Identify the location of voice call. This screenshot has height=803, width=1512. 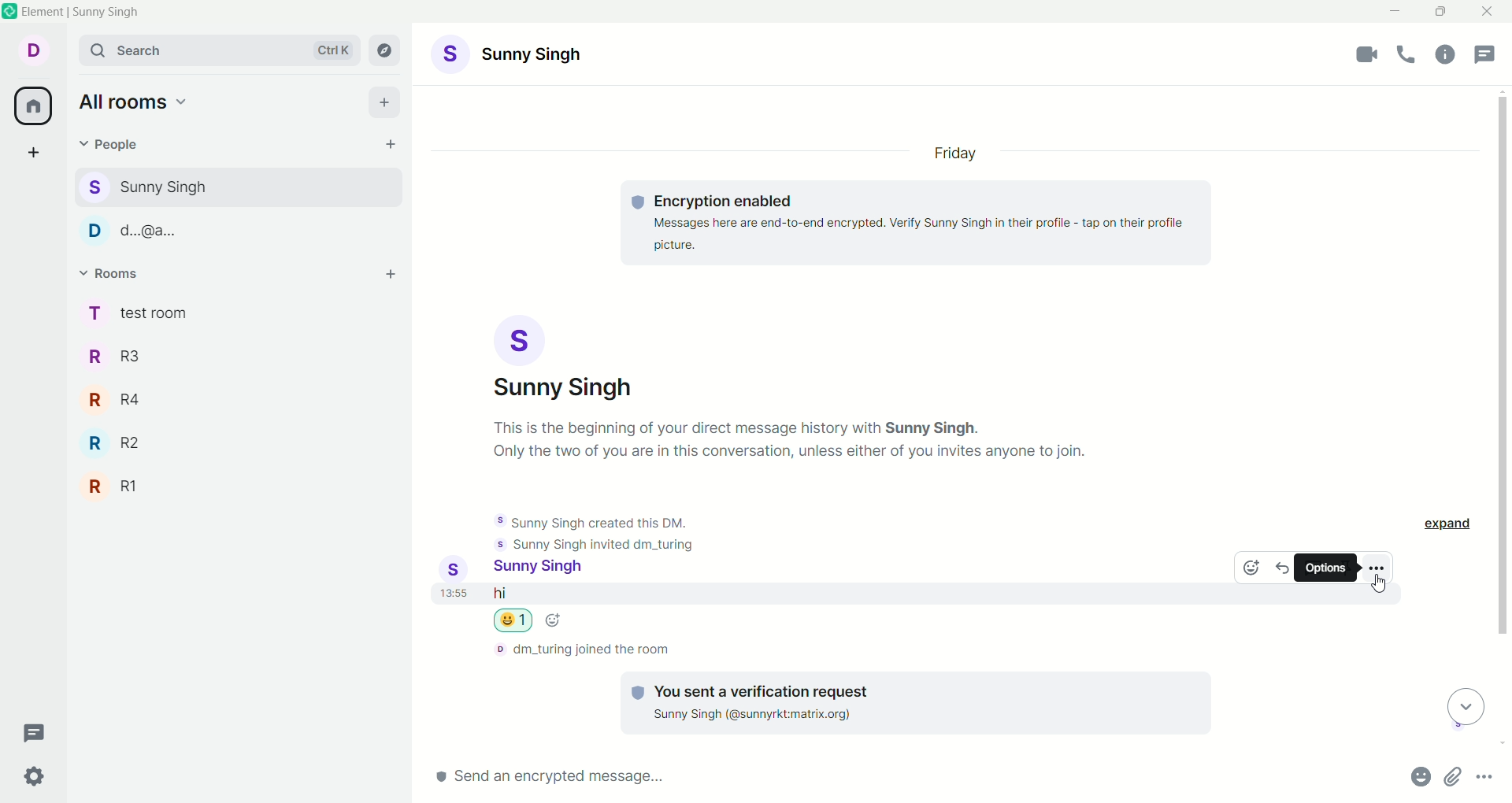
(1410, 56).